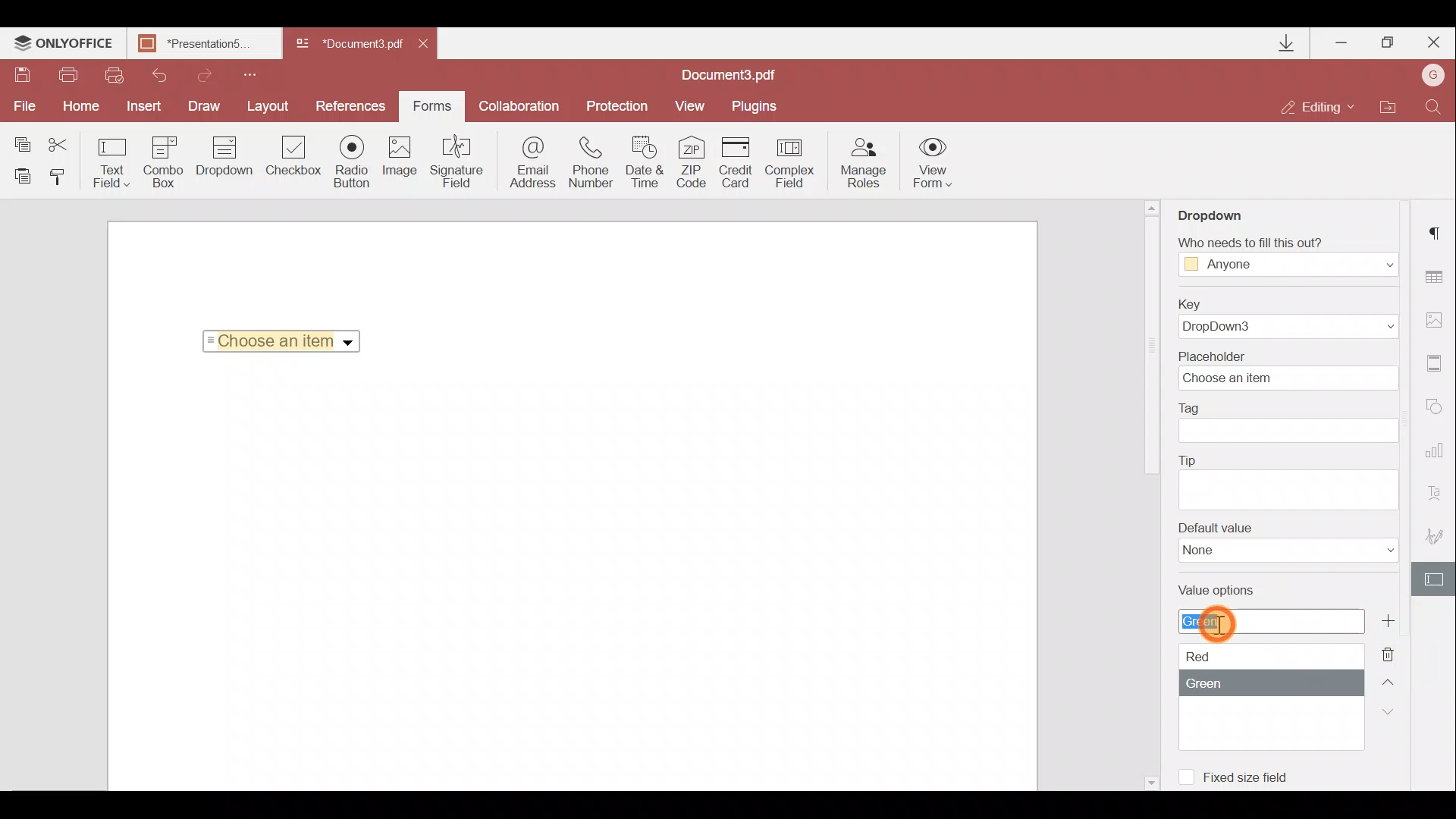 This screenshot has height=819, width=1456. I want to click on Dropdown, so click(350, 343).